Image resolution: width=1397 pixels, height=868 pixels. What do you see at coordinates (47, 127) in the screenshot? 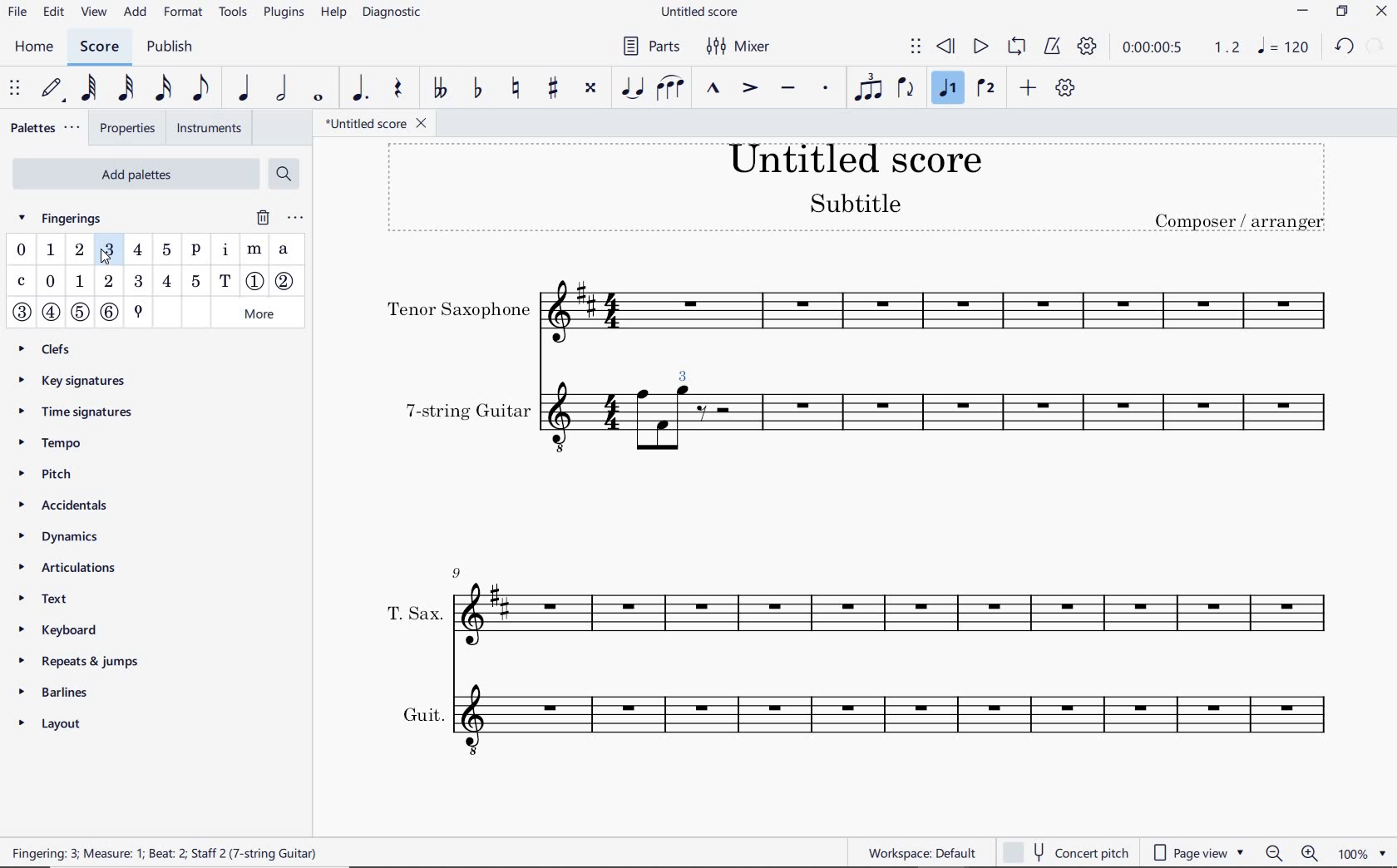
I see `PALETTES` at bounding box center [47, 127].